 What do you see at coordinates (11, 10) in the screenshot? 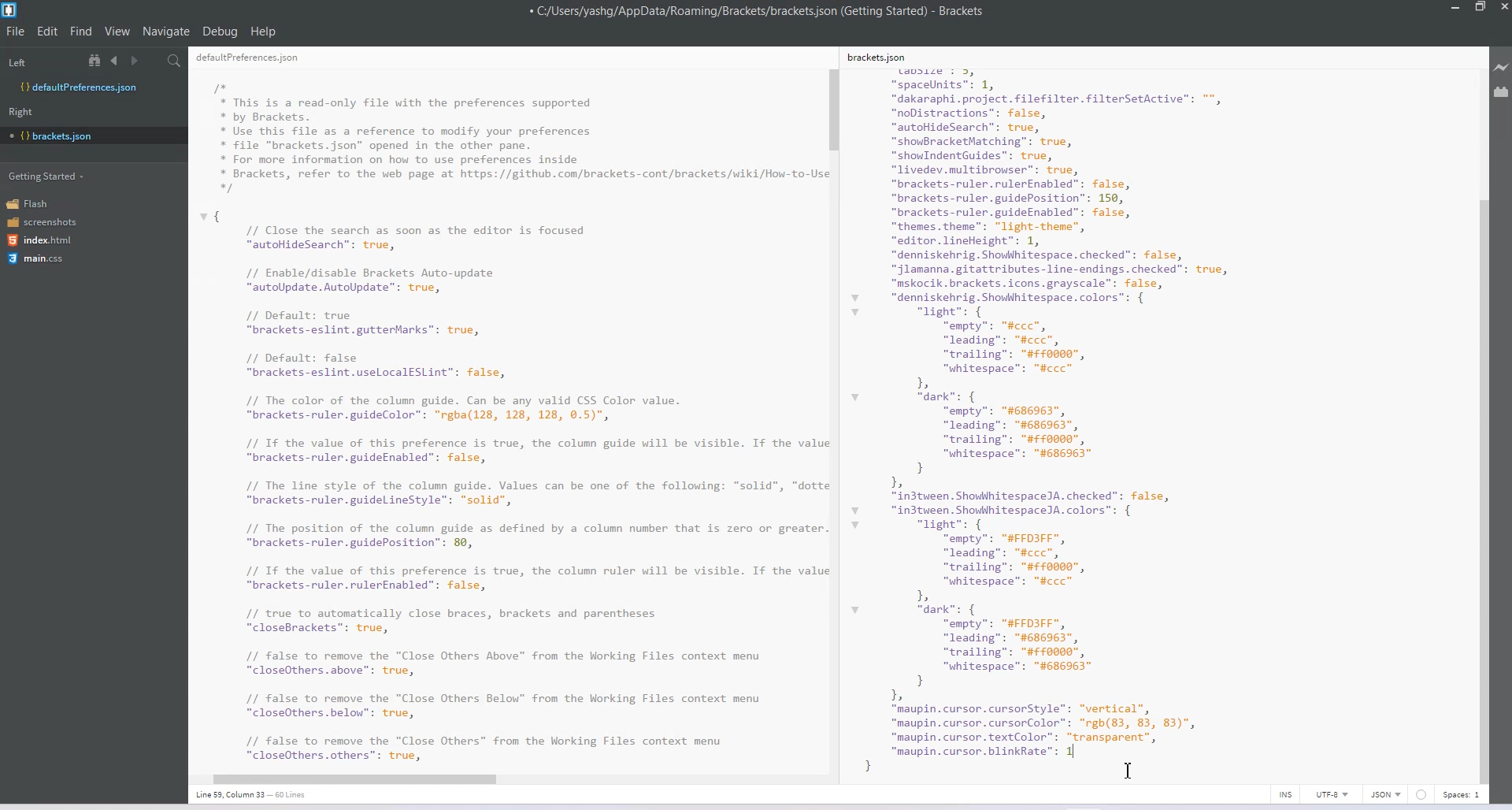
I see `Logo` at bounding box center [11, 10].